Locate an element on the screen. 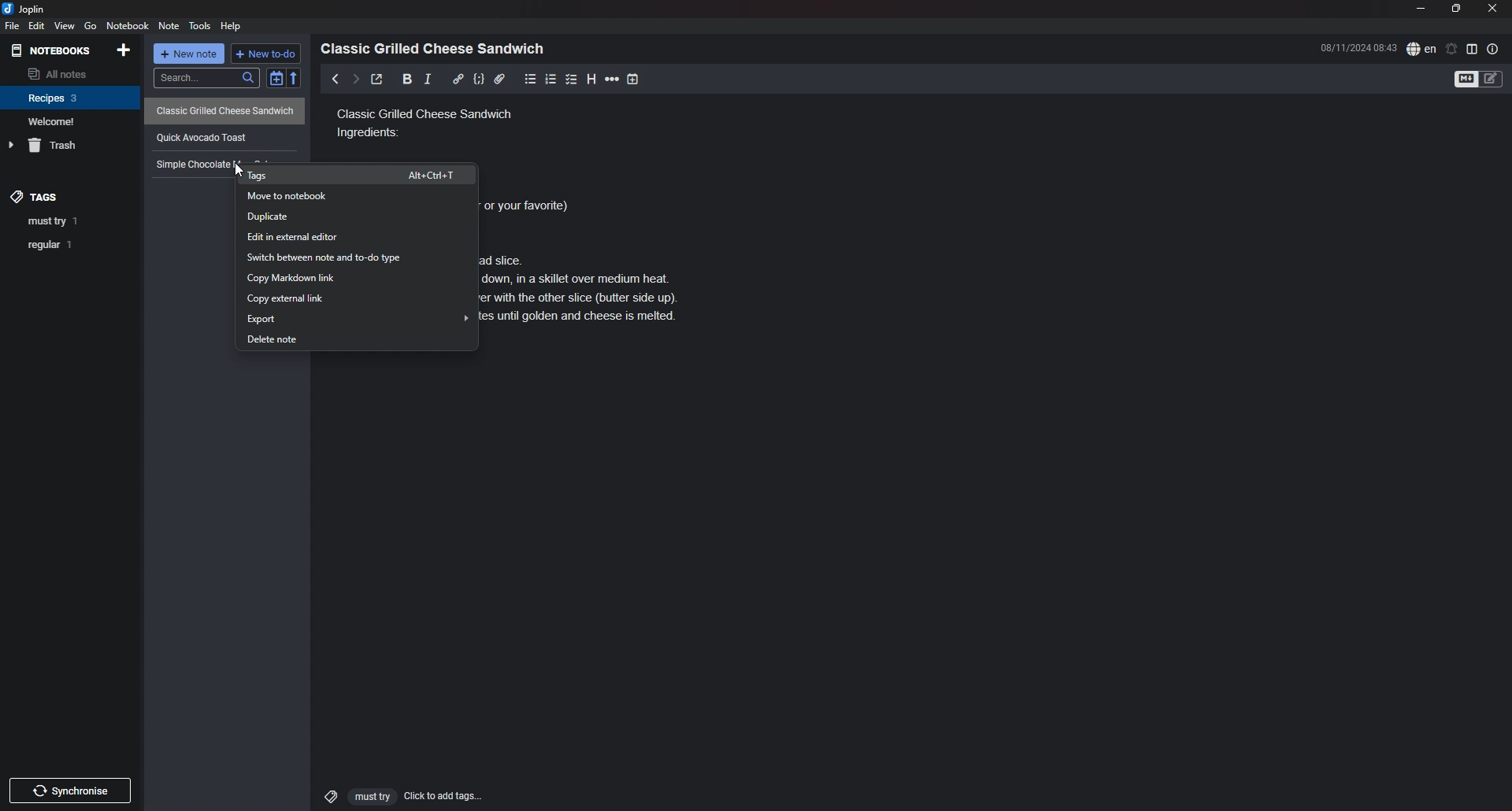  toggle external editor is located at coordinates (376, 81).